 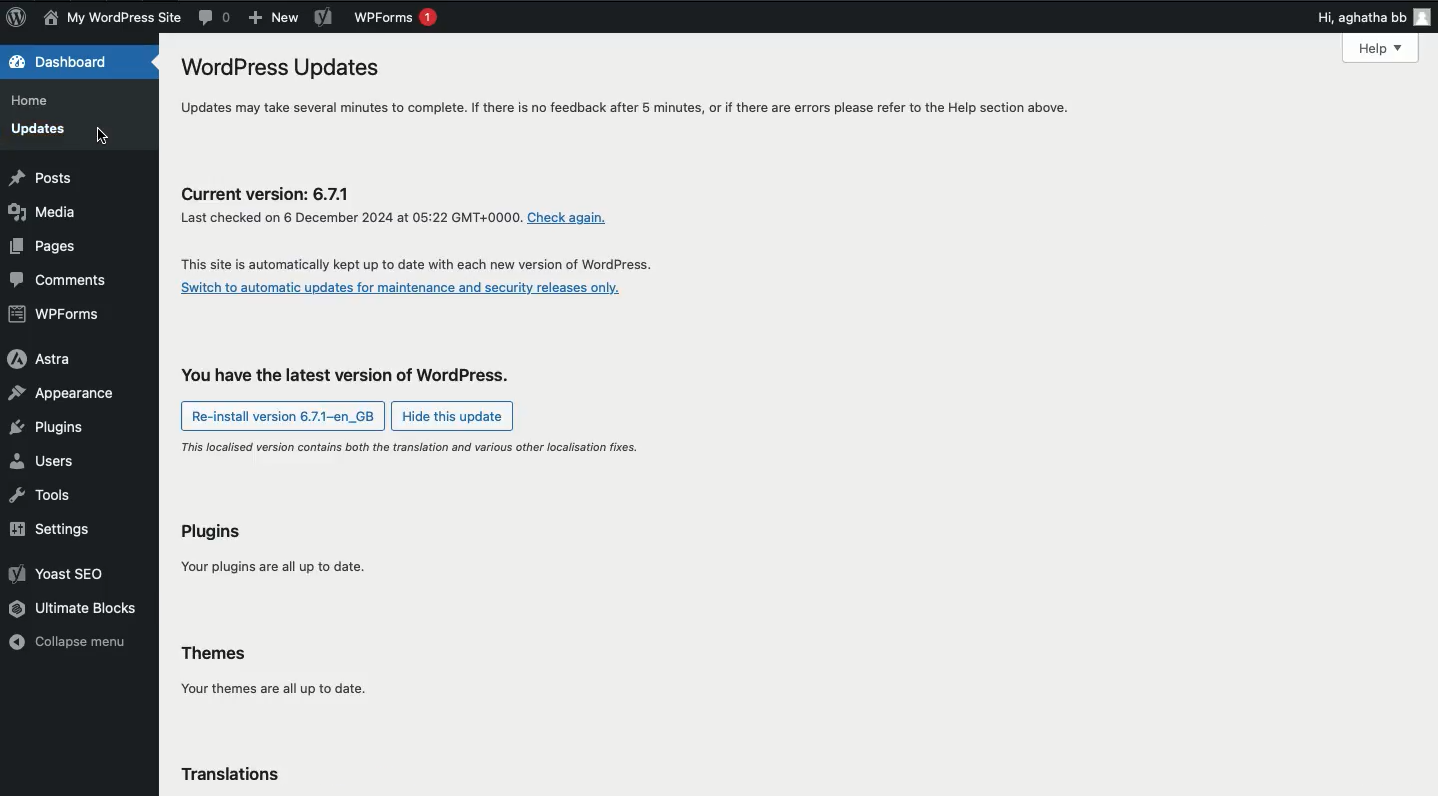 What do you see at coordinates (412, 444) in the screenshot?
I see `Text` at bounding box center [412, 444].